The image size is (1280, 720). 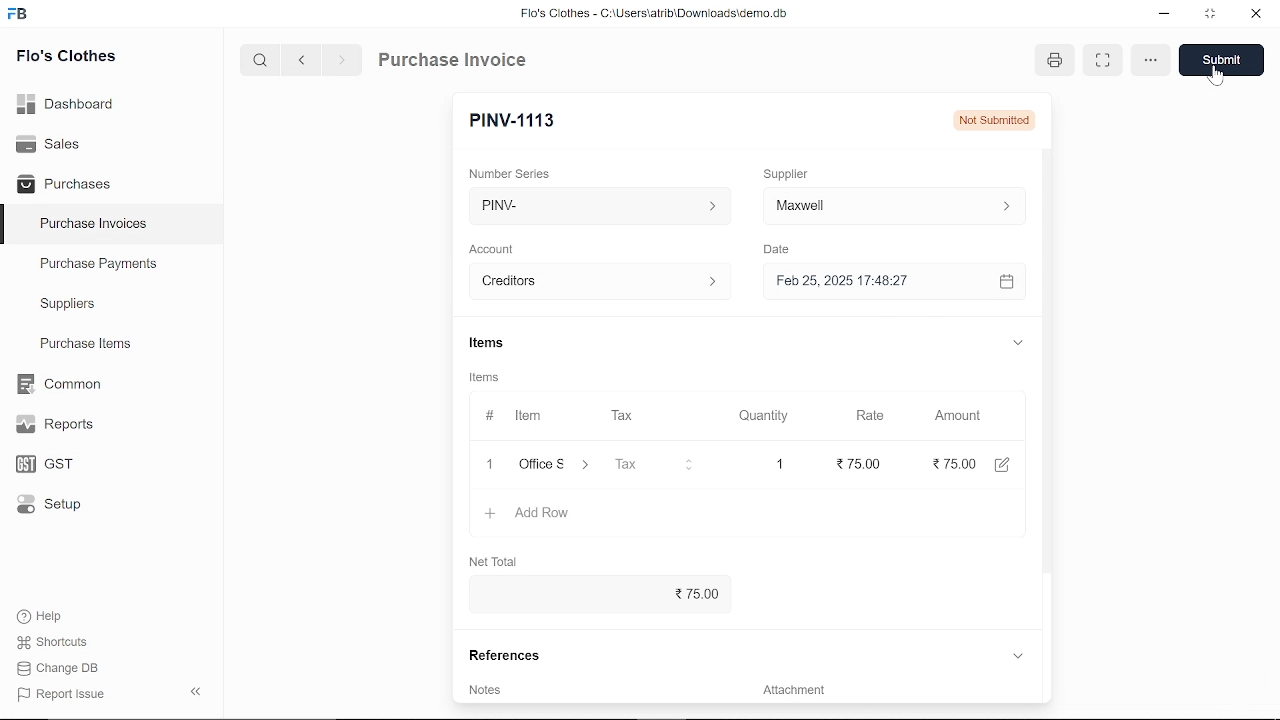 What do you see at coordinates (894, 204) in the screenshot?
I see `input ‘Supplier` at bounding box center [894, 204].